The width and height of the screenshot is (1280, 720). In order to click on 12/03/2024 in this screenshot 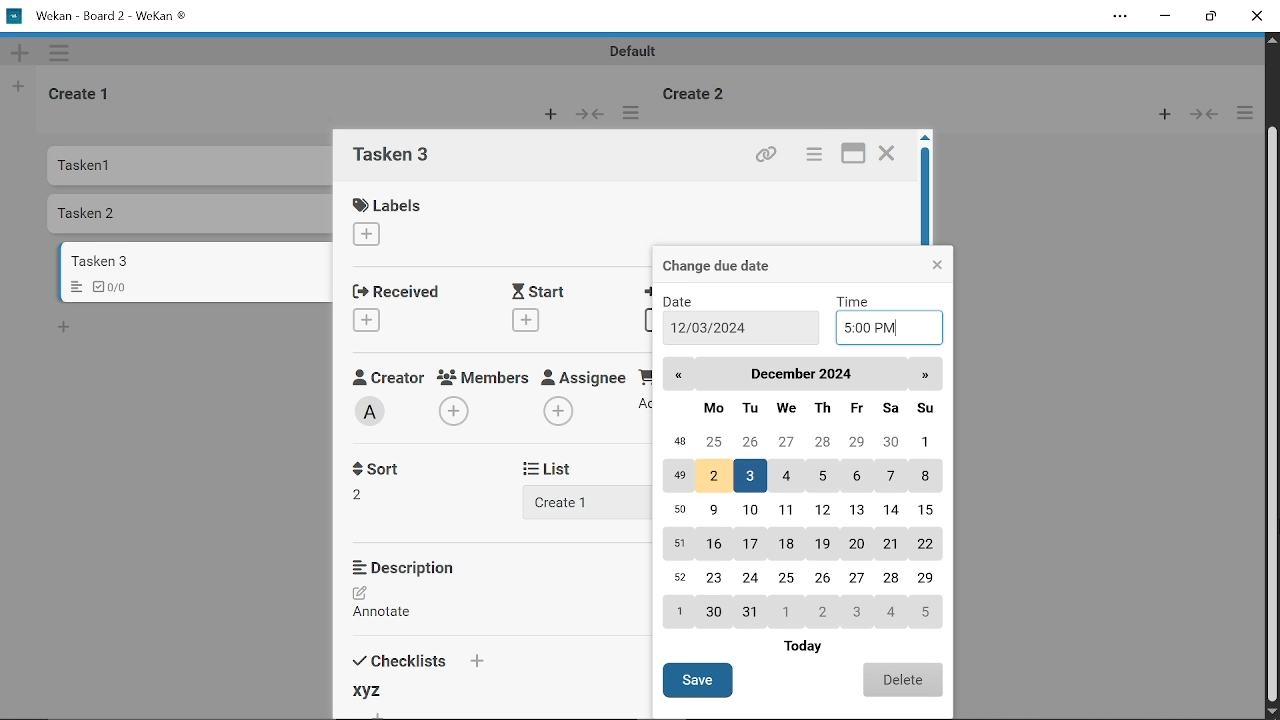, I will do `click(713, 328)`.